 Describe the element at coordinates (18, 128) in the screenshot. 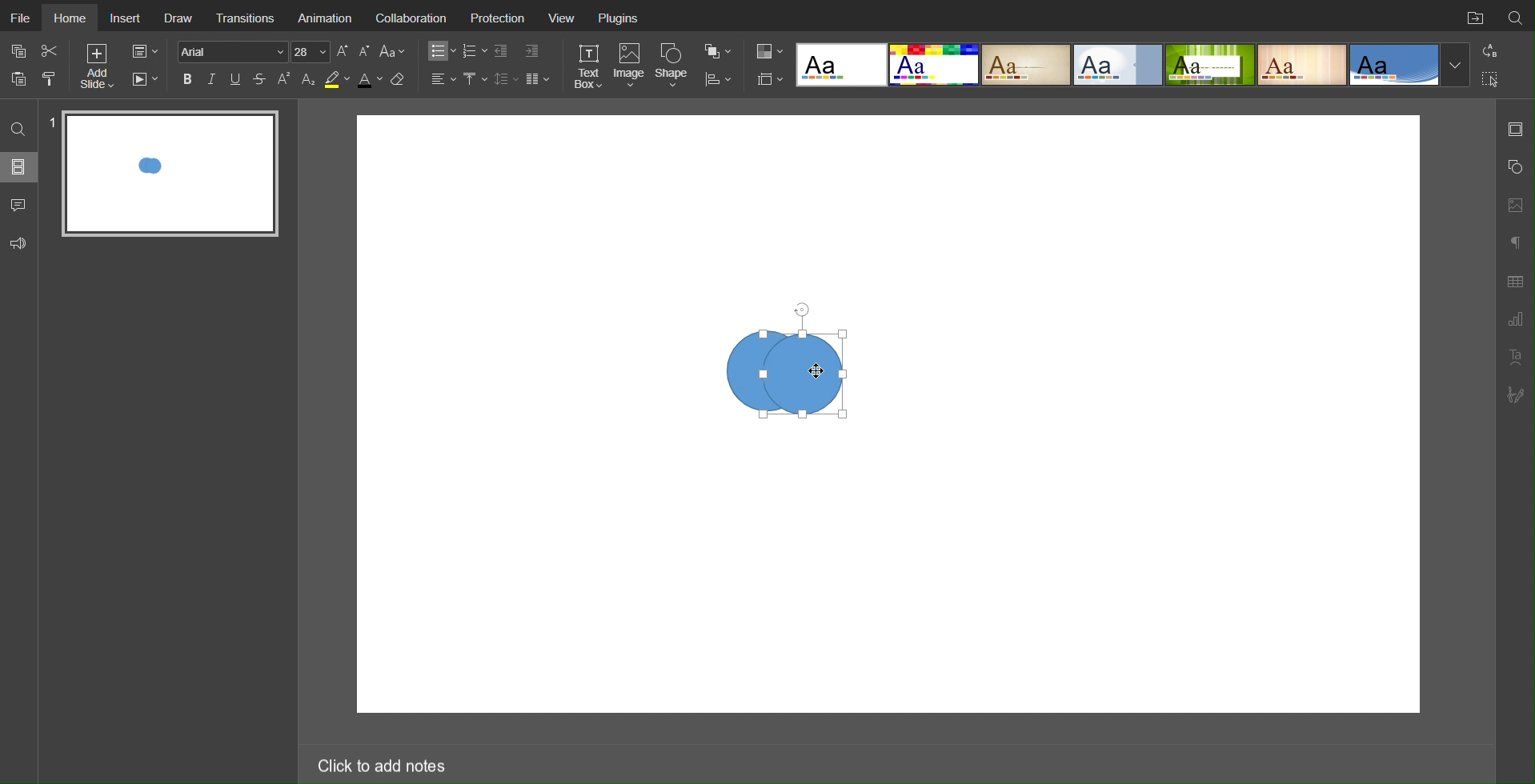

I see `Search` at that location.